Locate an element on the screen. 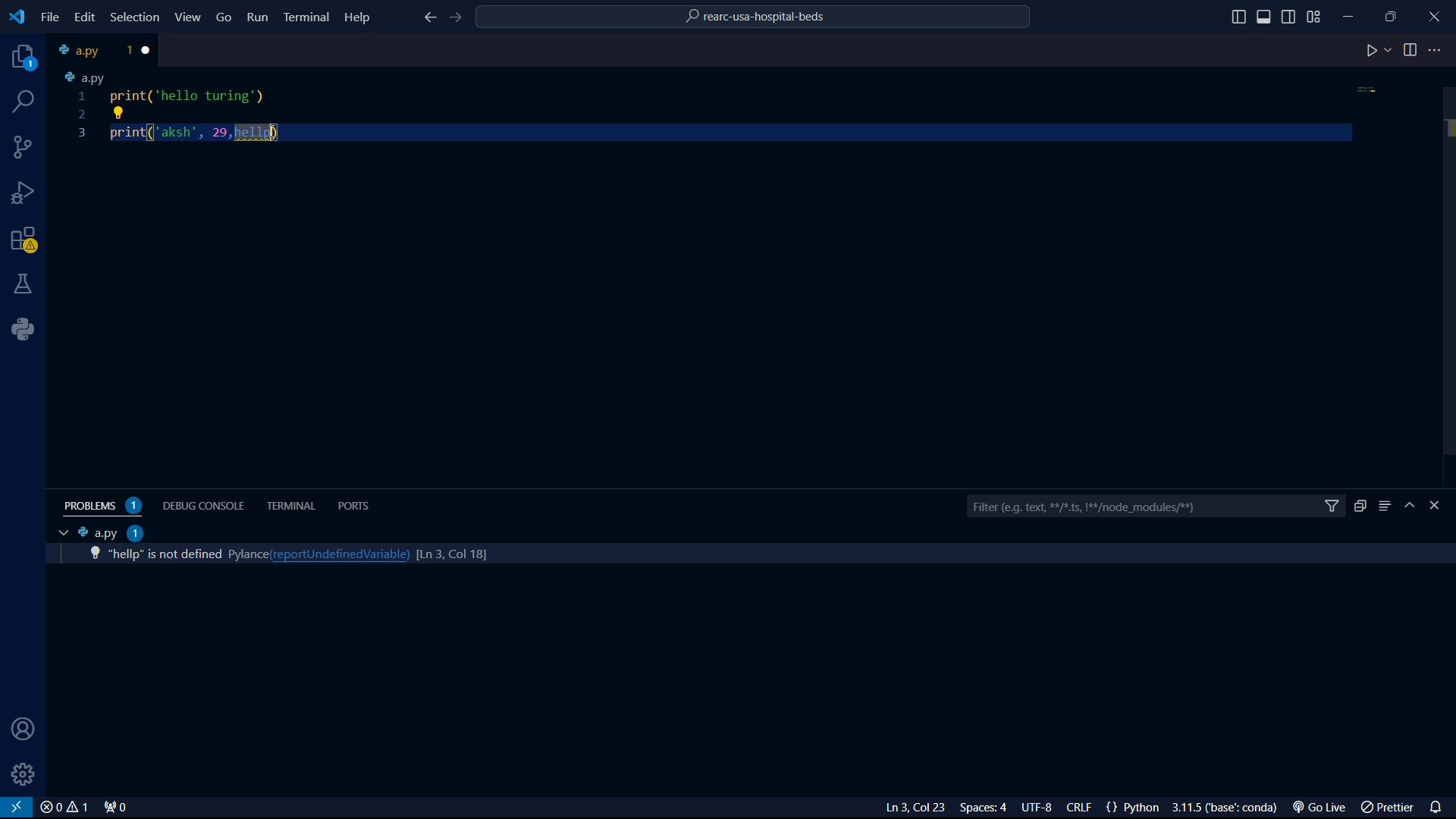 This screenshot has width=1456, height=819. View is located at coordinates (189, 17).